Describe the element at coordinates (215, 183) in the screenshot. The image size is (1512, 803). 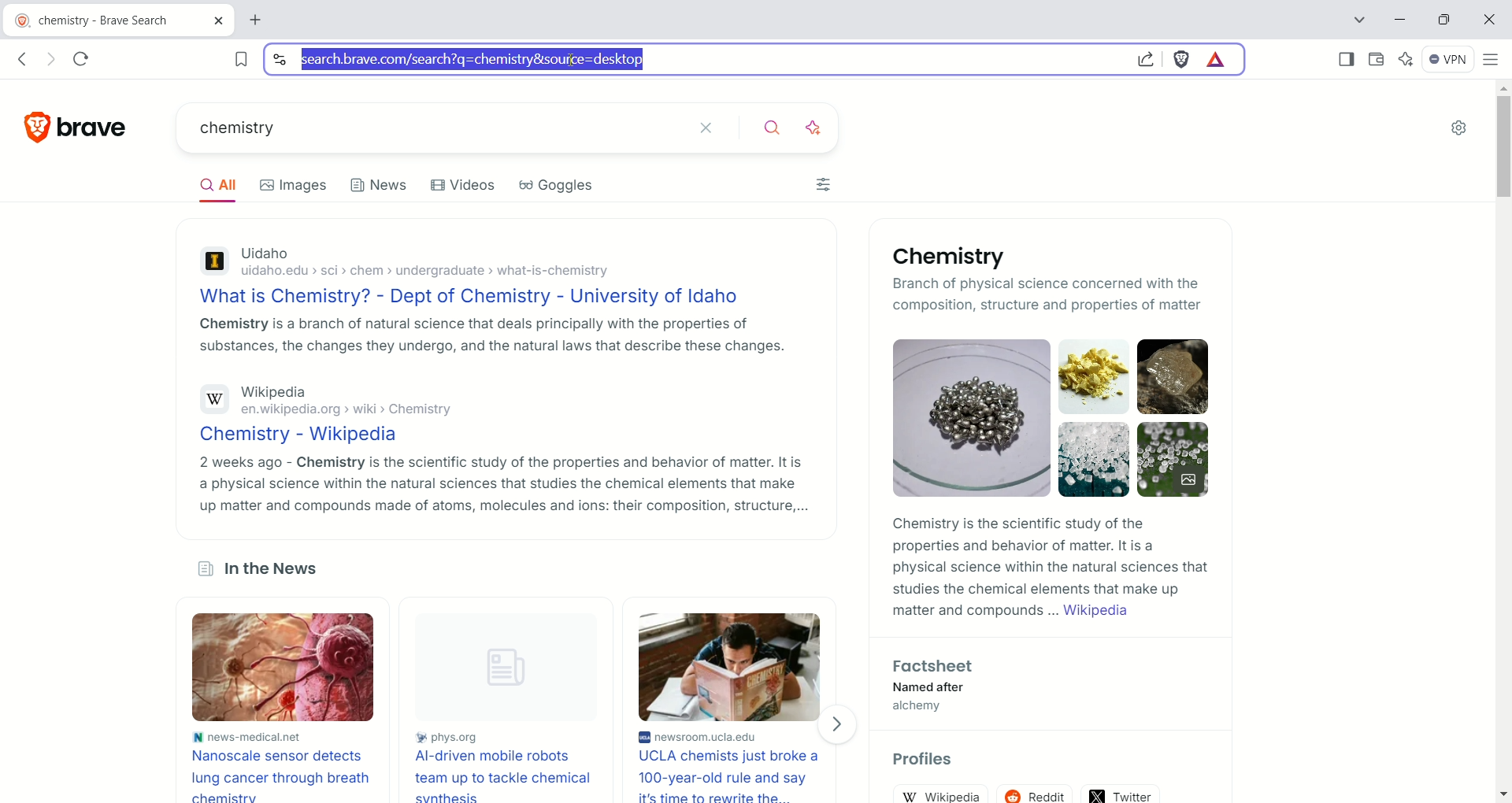
I see `All: selected` at that location.